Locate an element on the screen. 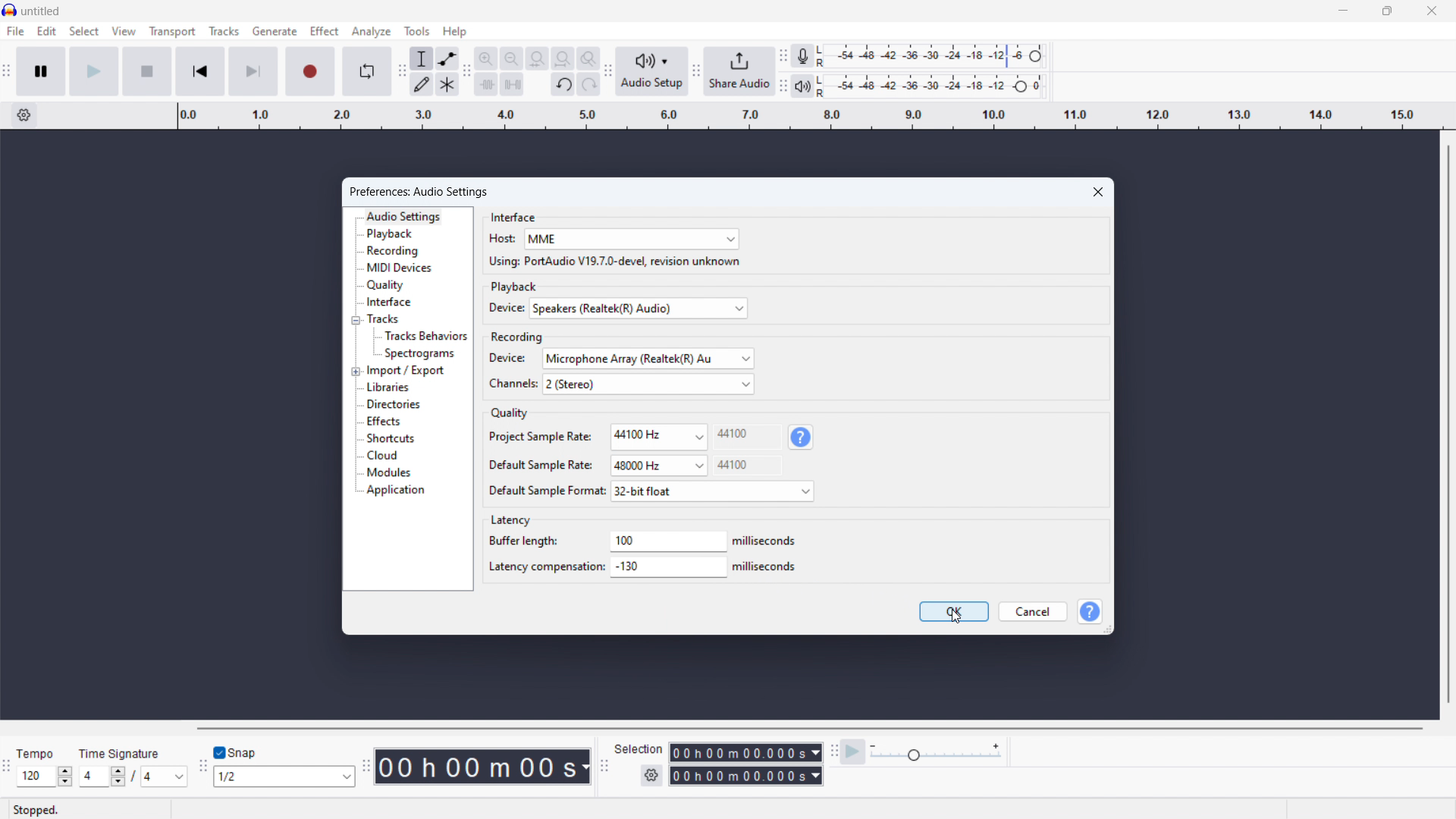  fit project to width is located at coordinates (562, 58).